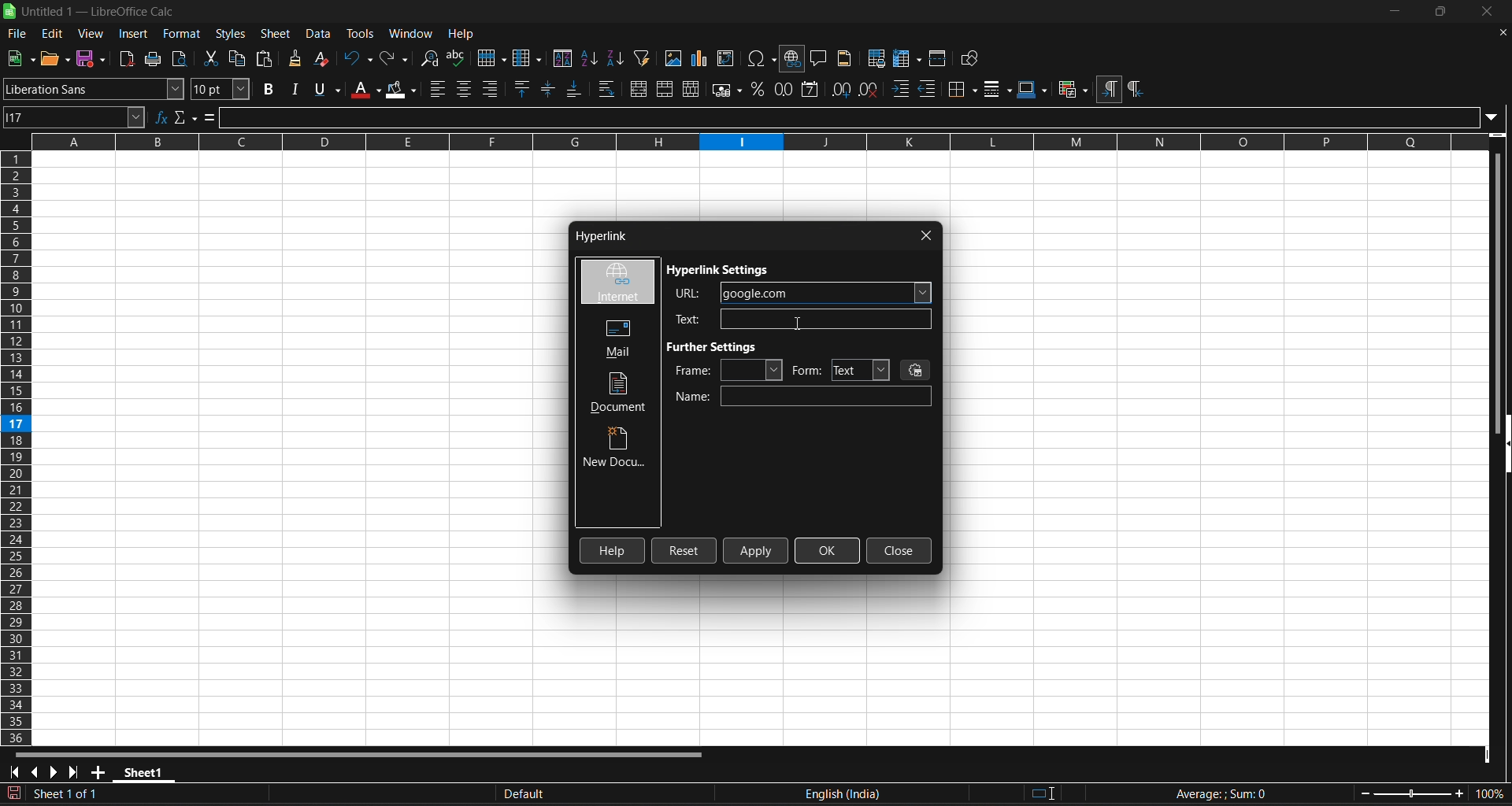  Describe the element at coordinates (491, 56) in the screenshot. I see `row` at that location.